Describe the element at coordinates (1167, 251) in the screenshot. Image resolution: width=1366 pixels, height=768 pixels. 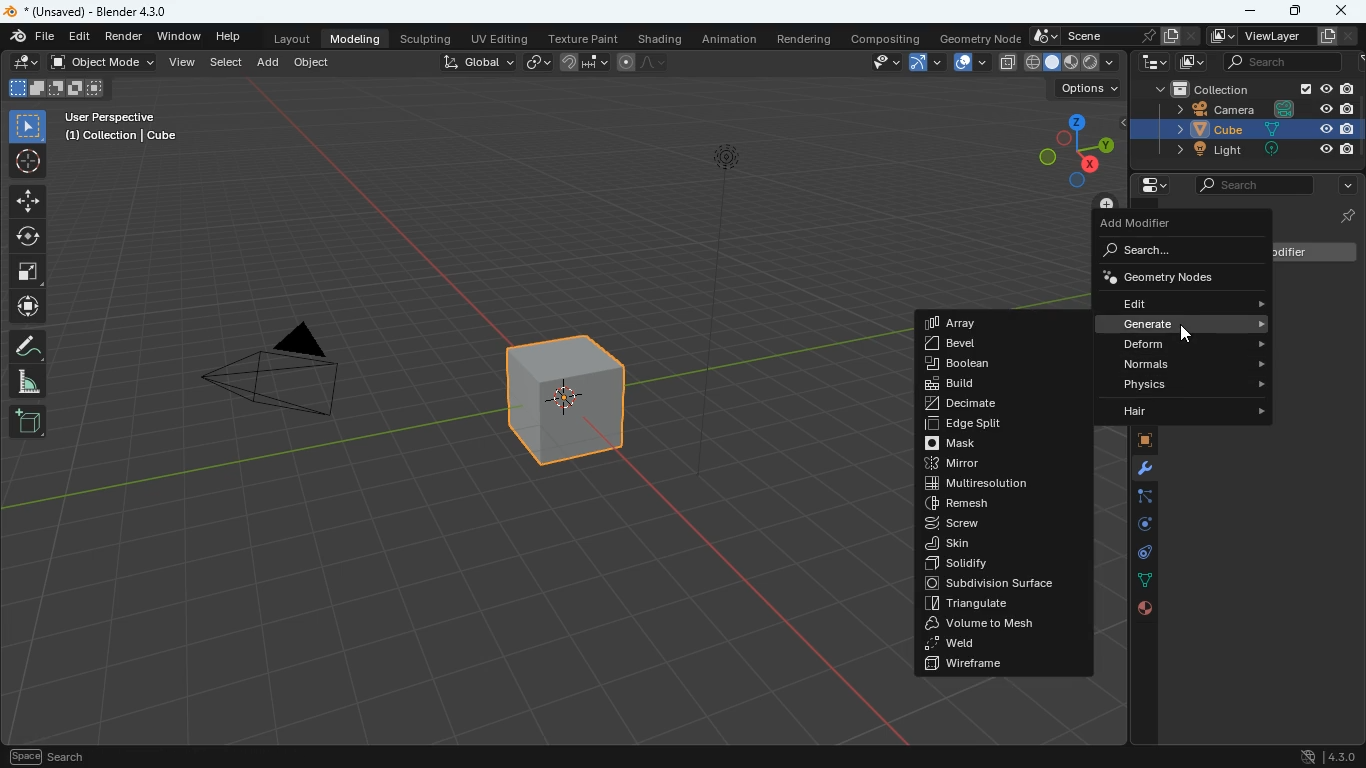
I see `search` at that location.